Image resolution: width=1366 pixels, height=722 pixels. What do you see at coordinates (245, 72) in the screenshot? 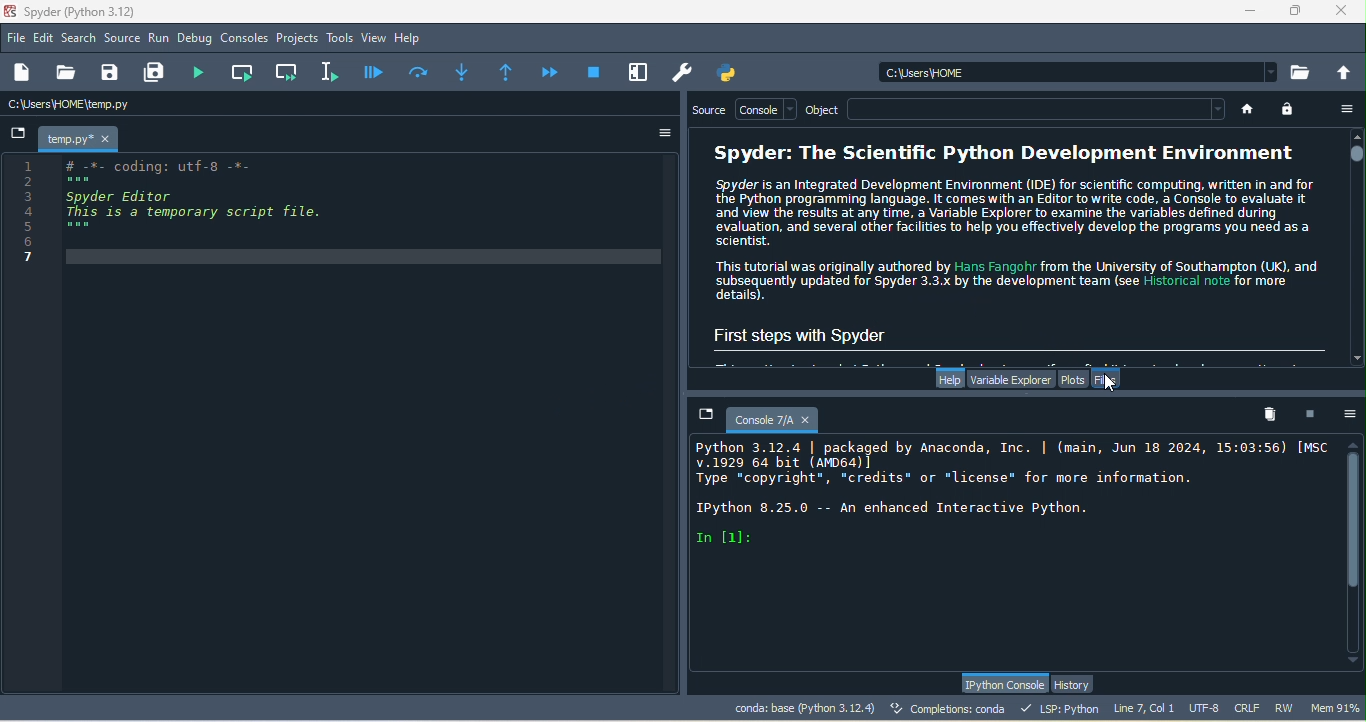
I see `run current cell` at bounding box center [245, 72].